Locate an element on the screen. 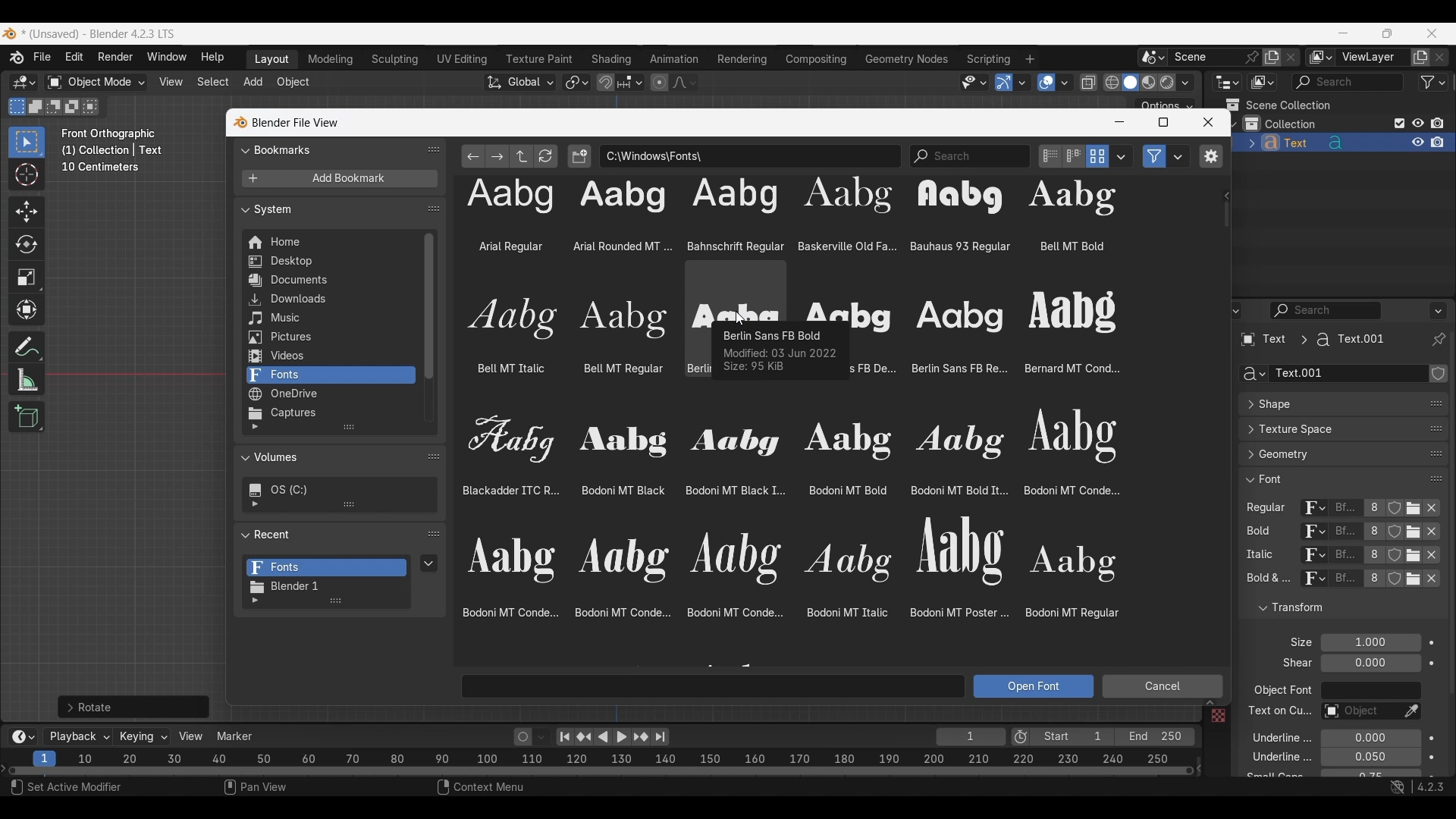 This screenshot has width=1456, height=819. Show interface in a smaller tab is located at coordinates (1387, 33).